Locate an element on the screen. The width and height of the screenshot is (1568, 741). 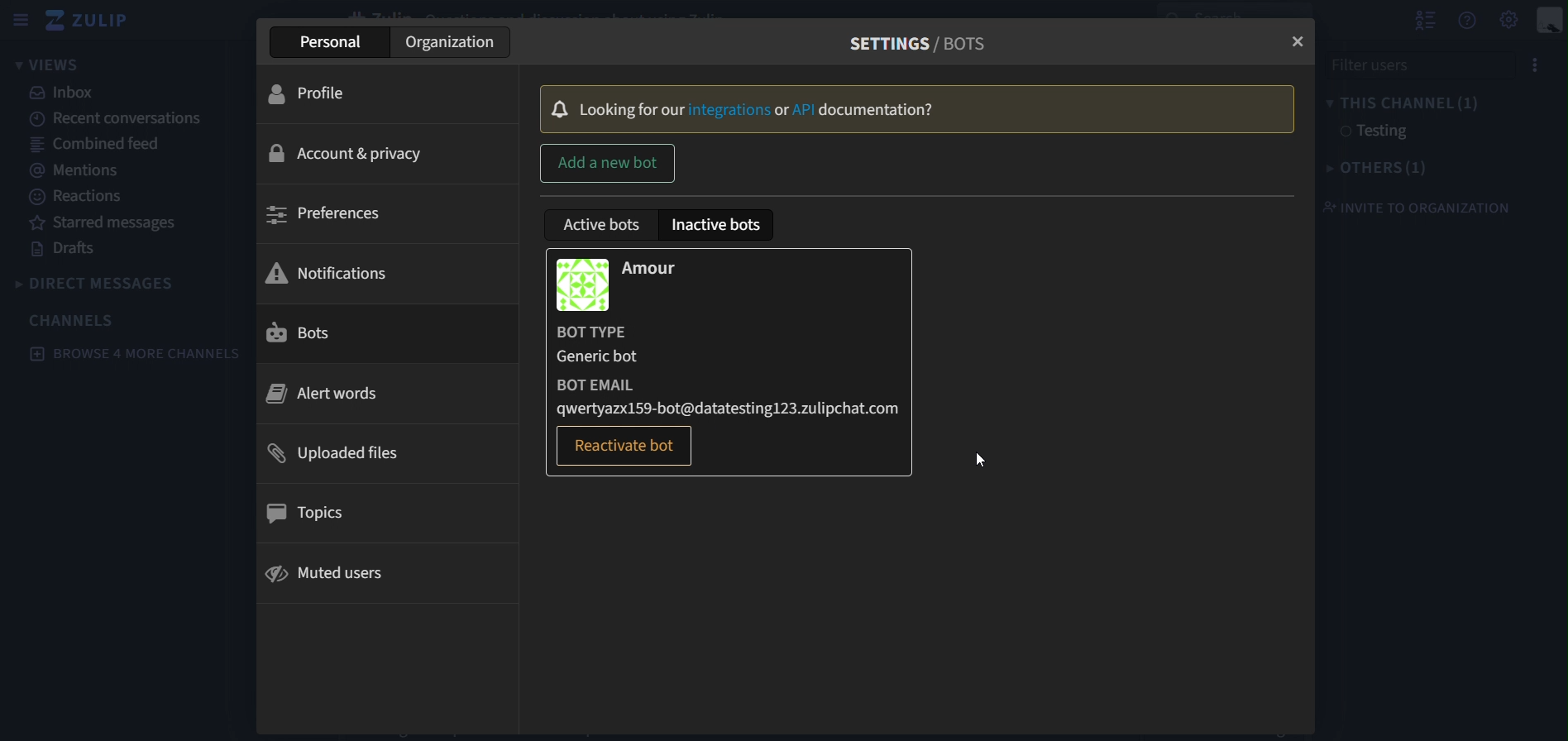
testing is located at coordinates (1370, 132).